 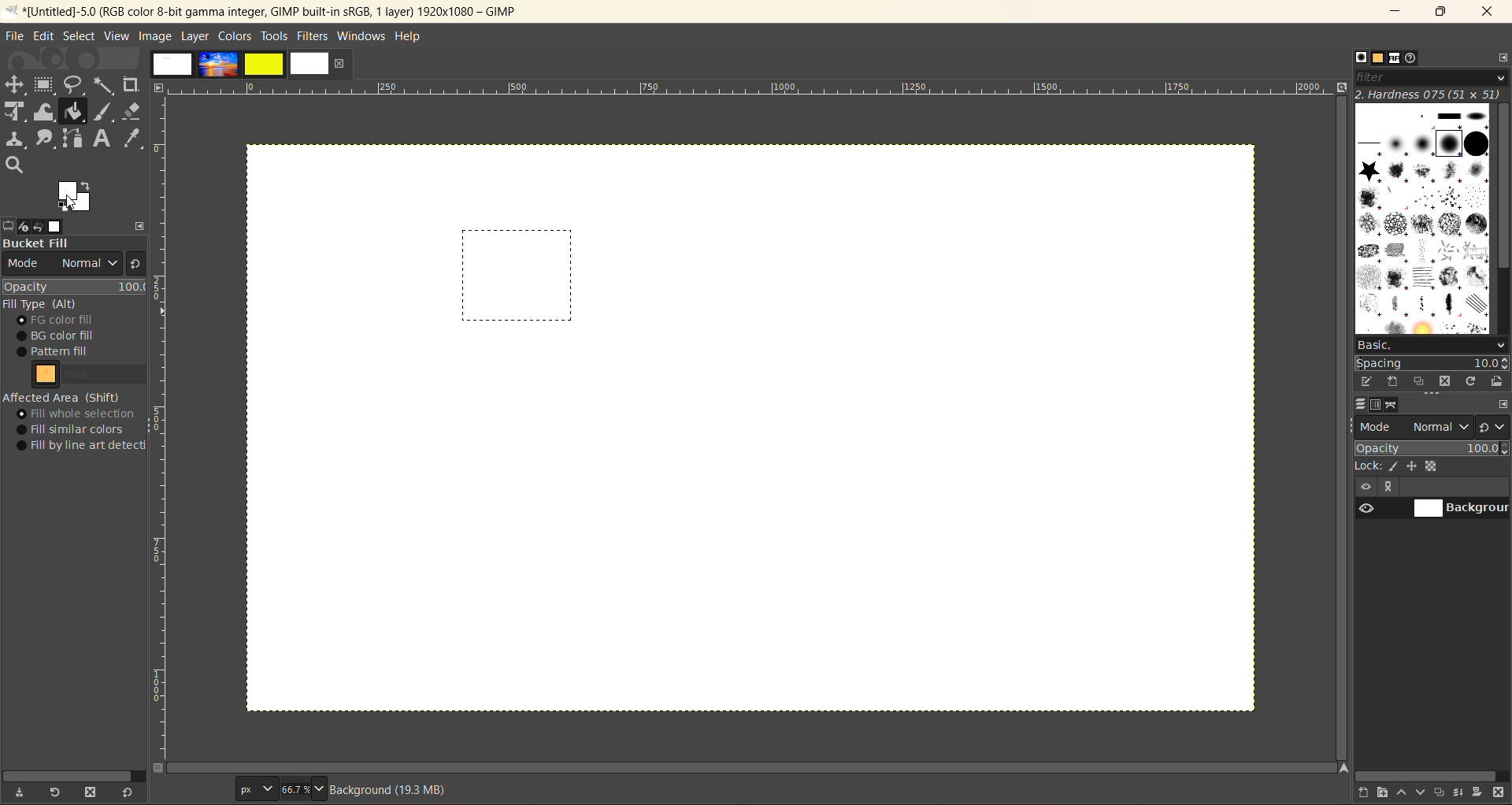 I want to click on more, so click(x=1393, y=488).